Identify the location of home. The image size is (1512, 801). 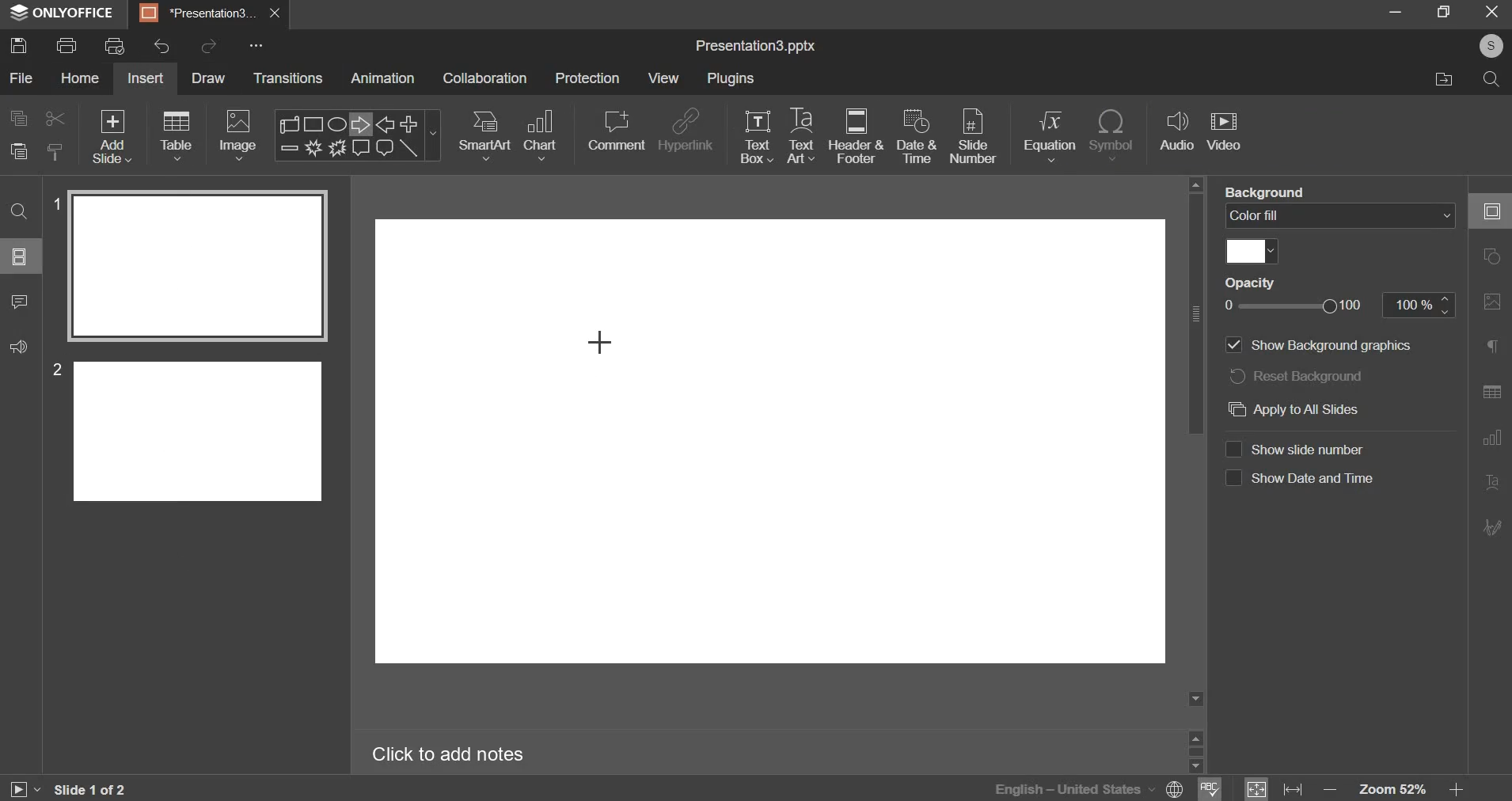
(81, 78).